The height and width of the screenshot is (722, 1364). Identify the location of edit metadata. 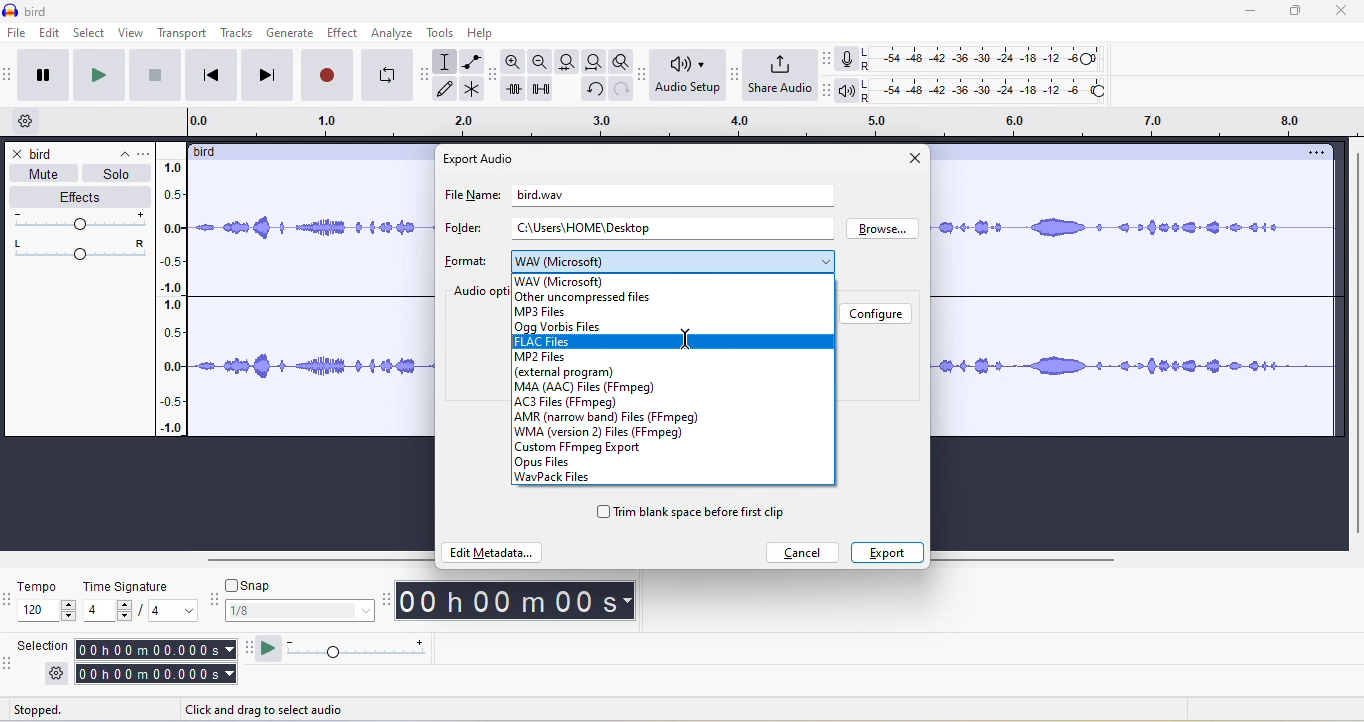
(492, 555).